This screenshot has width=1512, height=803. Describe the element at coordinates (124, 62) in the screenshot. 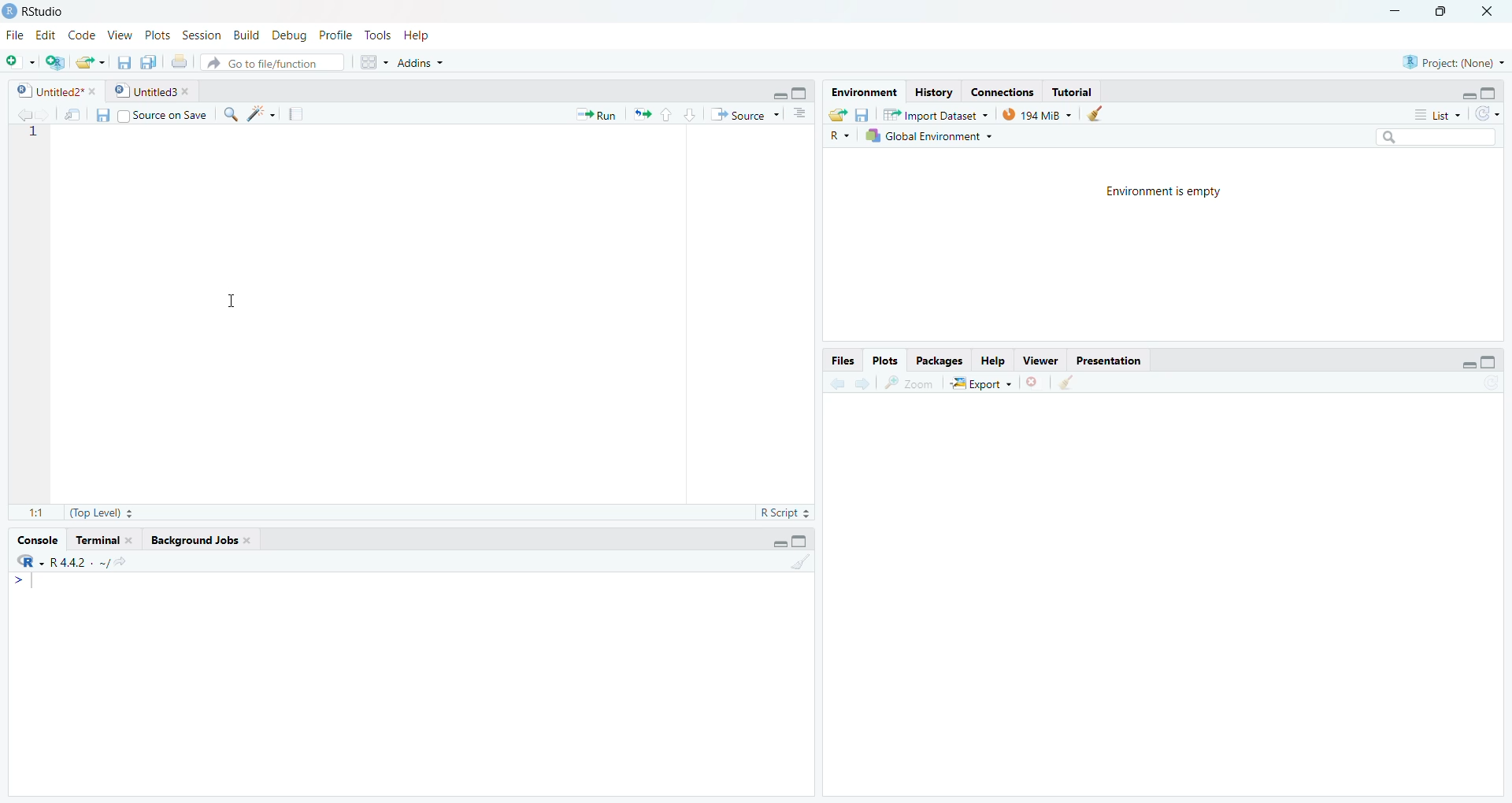

I see `save current document` at that location.